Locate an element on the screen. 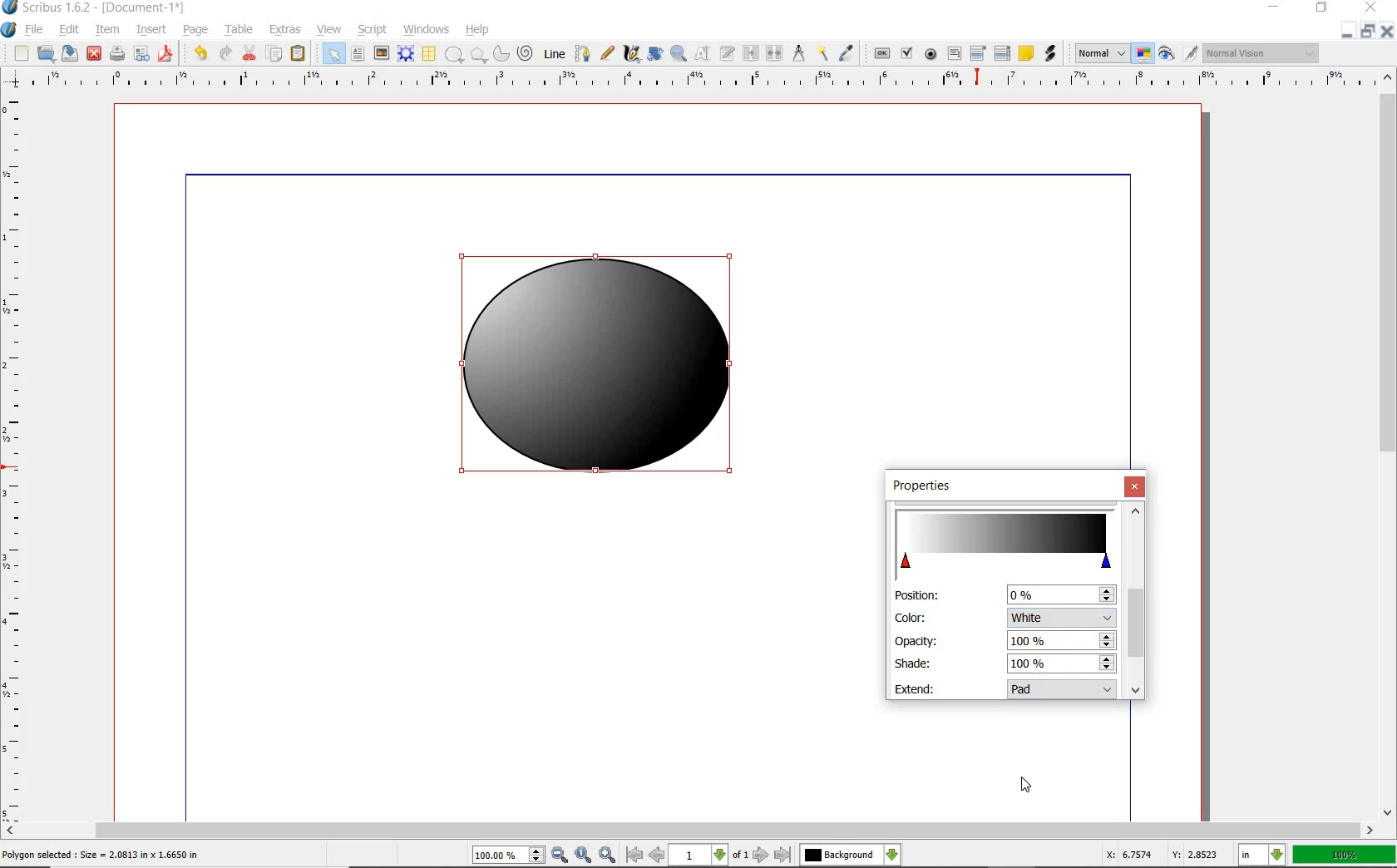  scroll down is located at coordinates (1134, 691).